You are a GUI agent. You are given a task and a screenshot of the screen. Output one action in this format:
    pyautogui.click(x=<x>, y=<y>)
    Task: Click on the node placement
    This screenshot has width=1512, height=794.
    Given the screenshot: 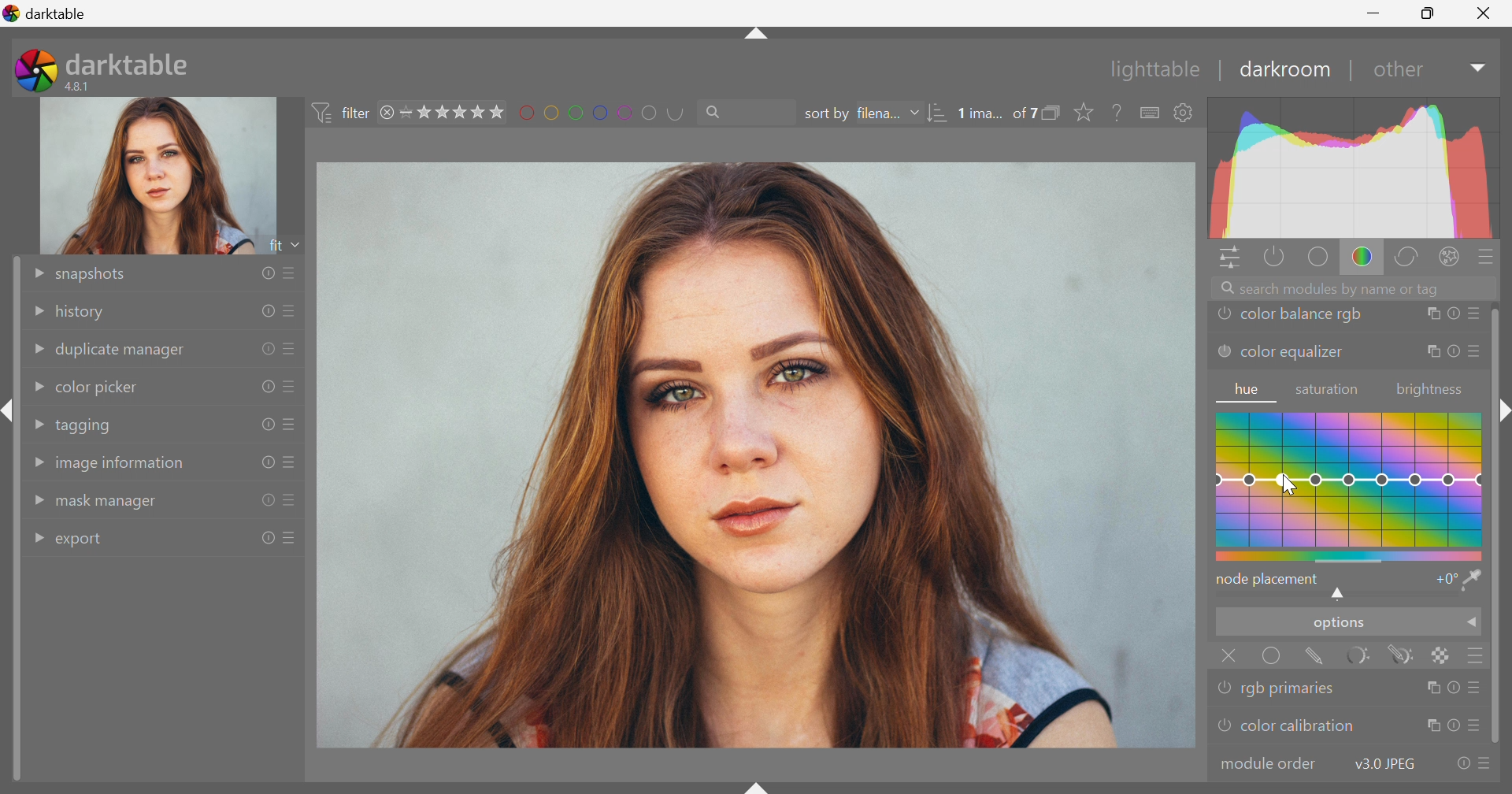 What is the action you would take?
    pyautogui.click(x=1269, y=579)
    